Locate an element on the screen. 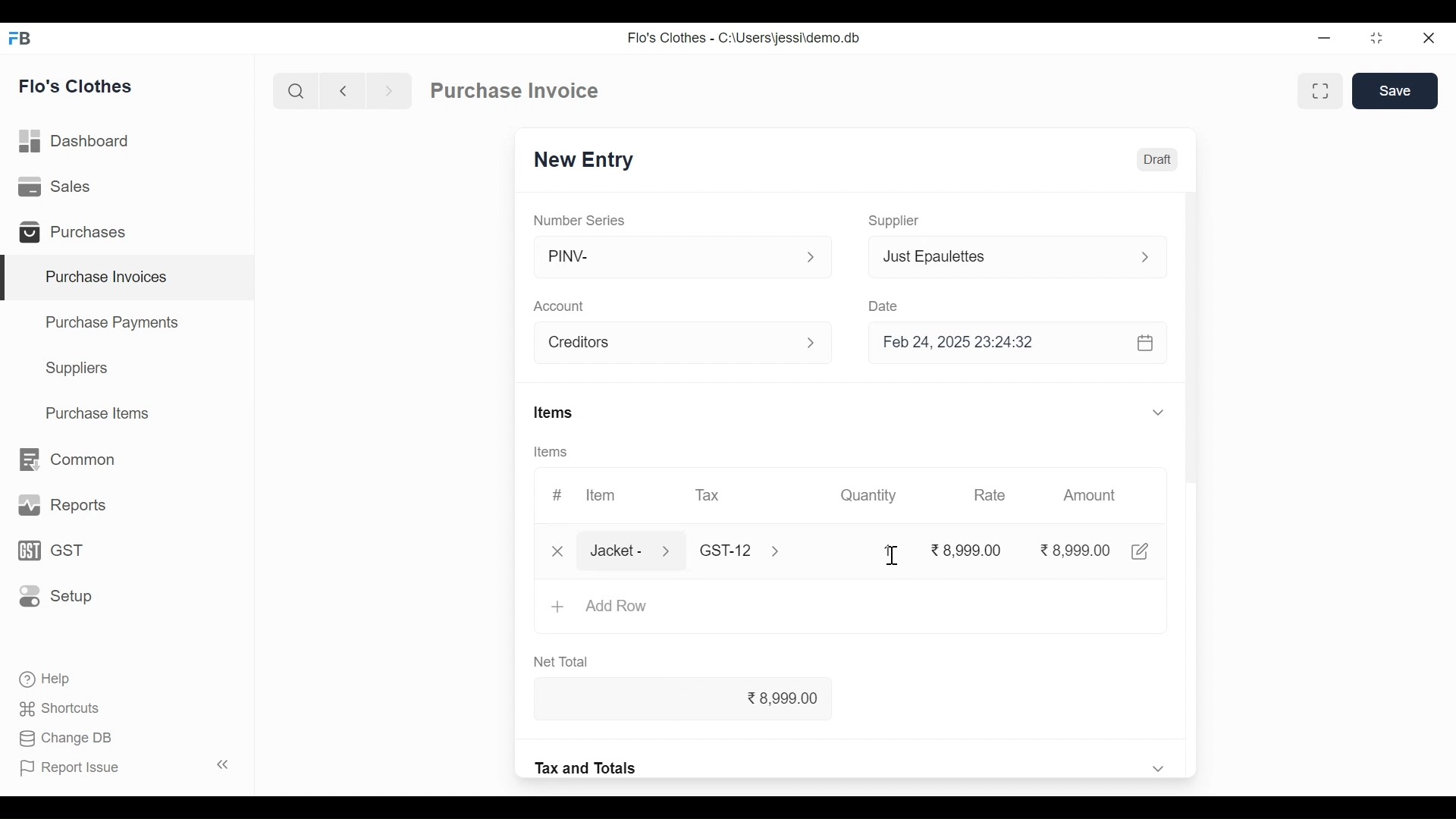  Just Epaulettes is located at coordinates (999, 256).